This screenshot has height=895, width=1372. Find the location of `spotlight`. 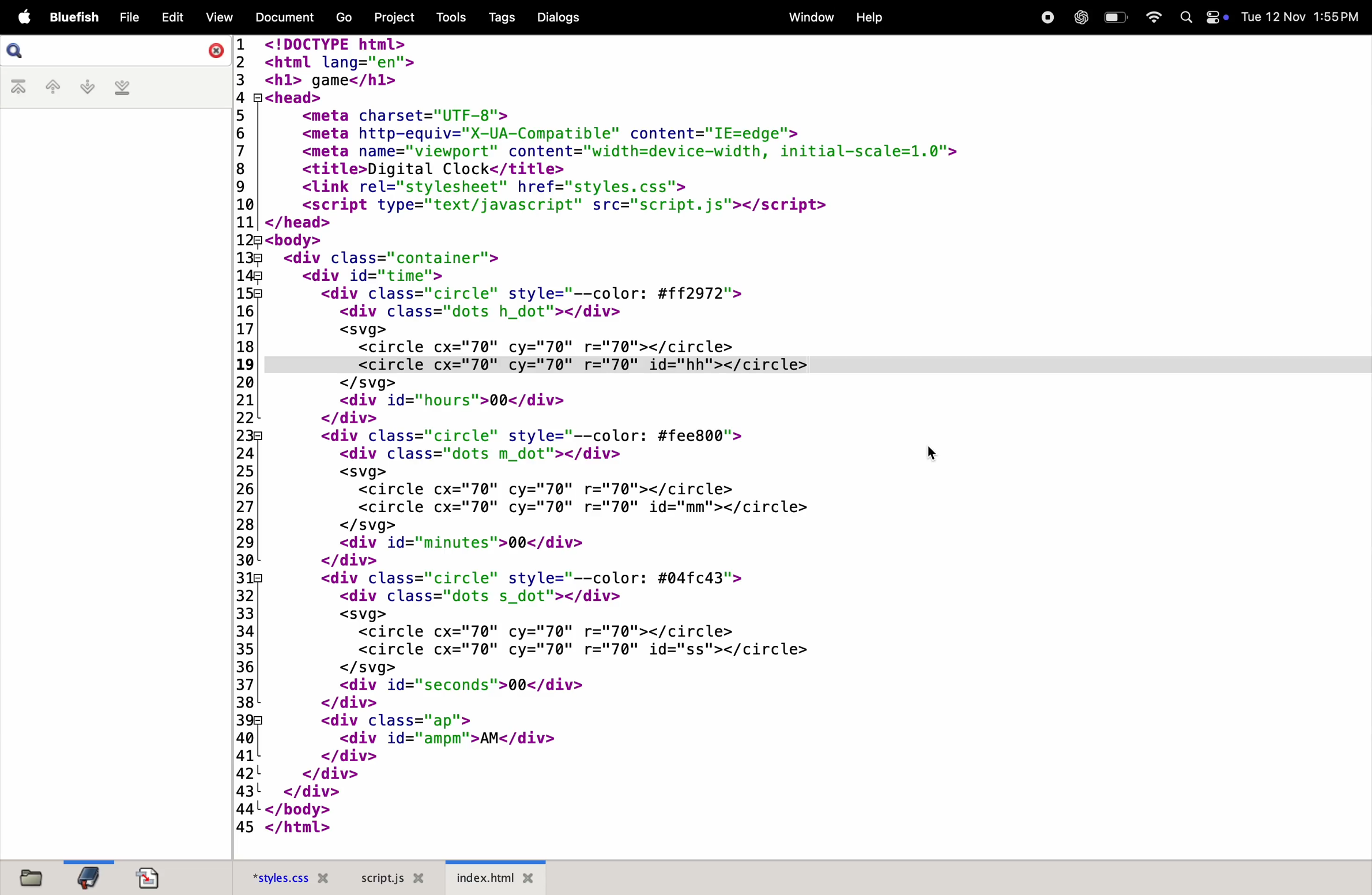

spotlight is located at coordinates (1183, 16).